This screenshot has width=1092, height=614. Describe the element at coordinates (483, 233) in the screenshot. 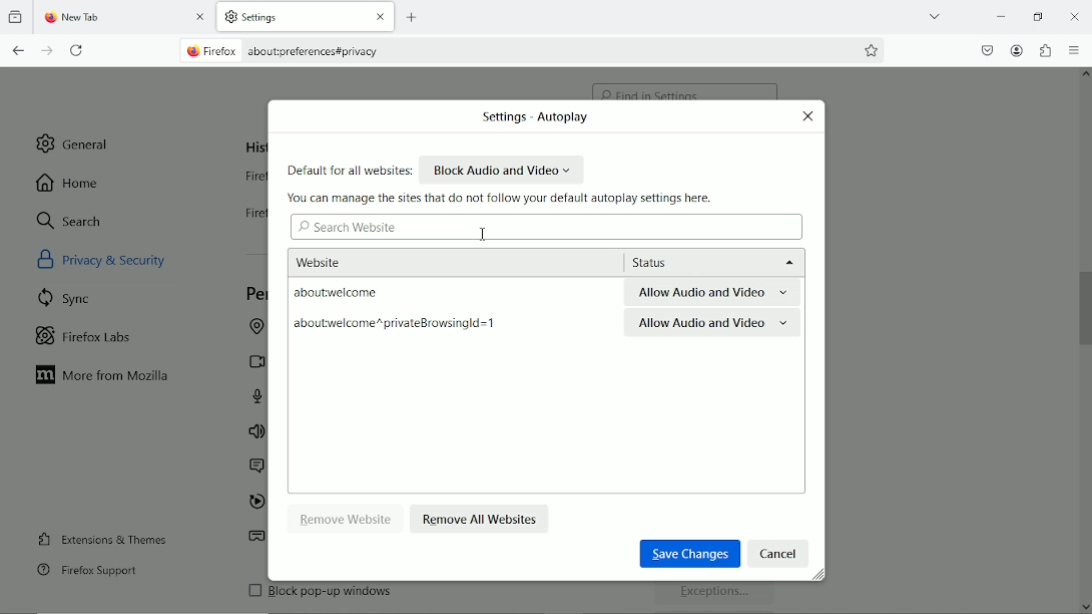

I see `cursor` at that location.